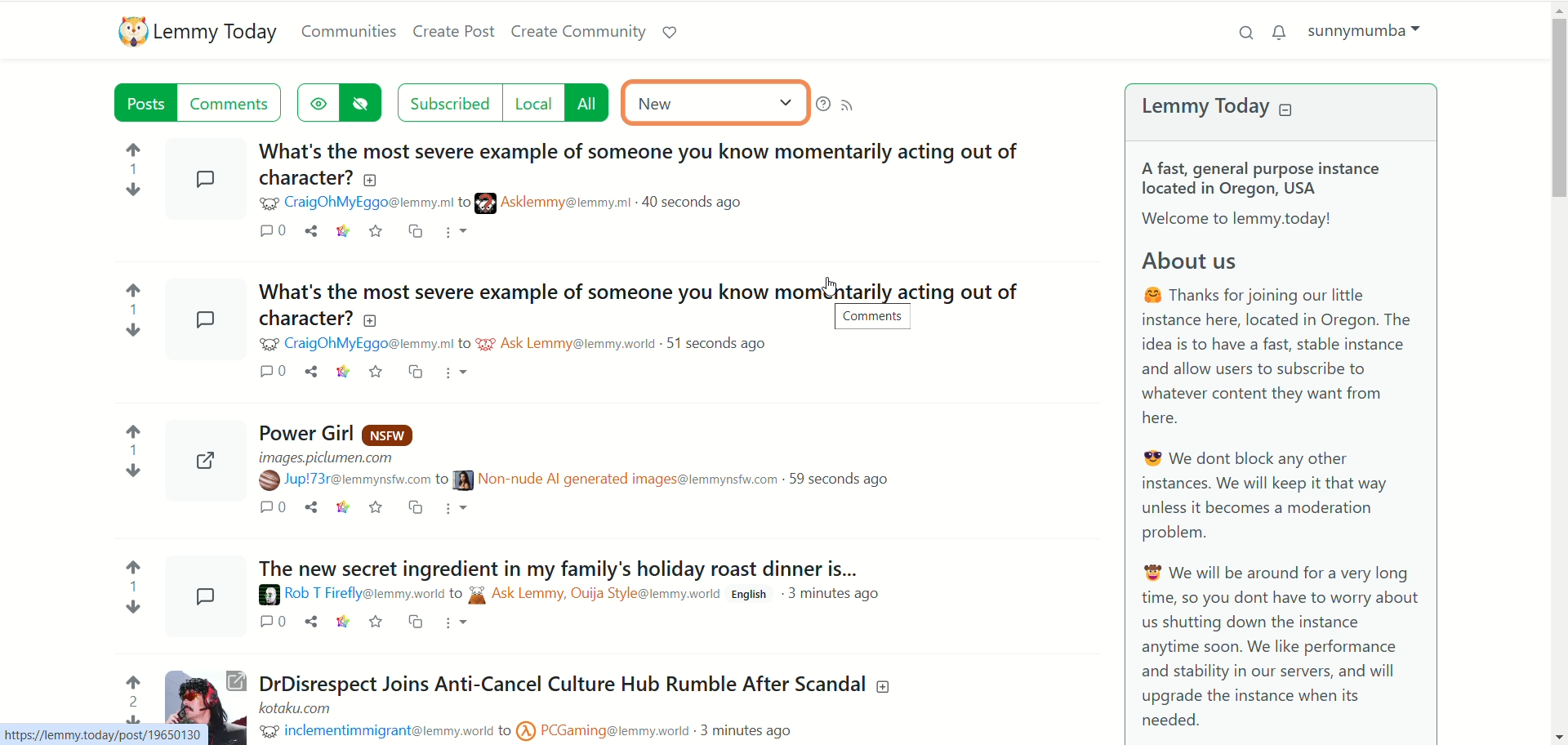 This screenshot has height=745, width=1568. I want to click on votes, so click(126, 694).